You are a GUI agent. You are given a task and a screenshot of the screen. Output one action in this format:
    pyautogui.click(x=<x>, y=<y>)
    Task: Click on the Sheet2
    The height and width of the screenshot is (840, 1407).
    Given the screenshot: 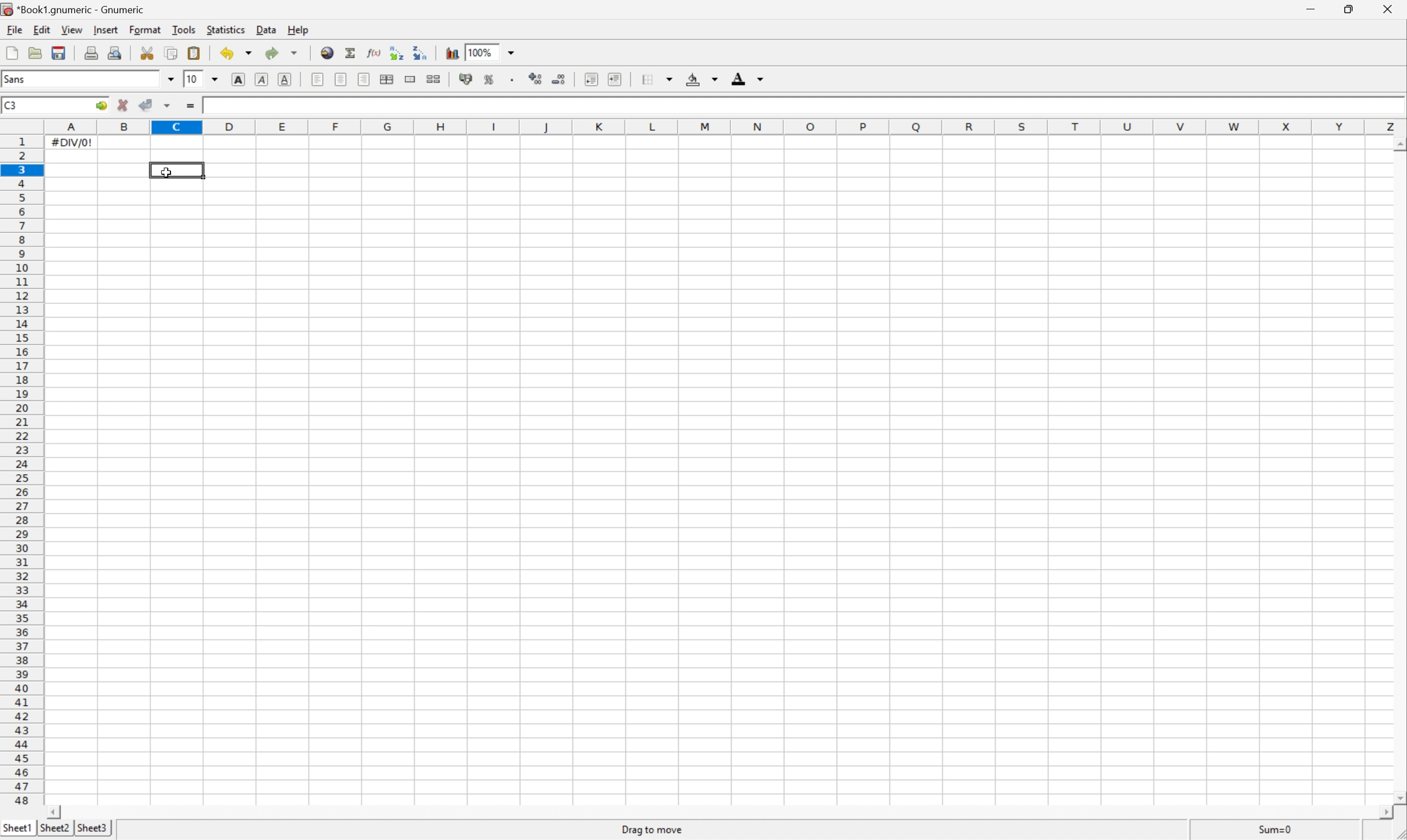 What is the action you would take?
    pyautogui.click(x=54, y=829)
    